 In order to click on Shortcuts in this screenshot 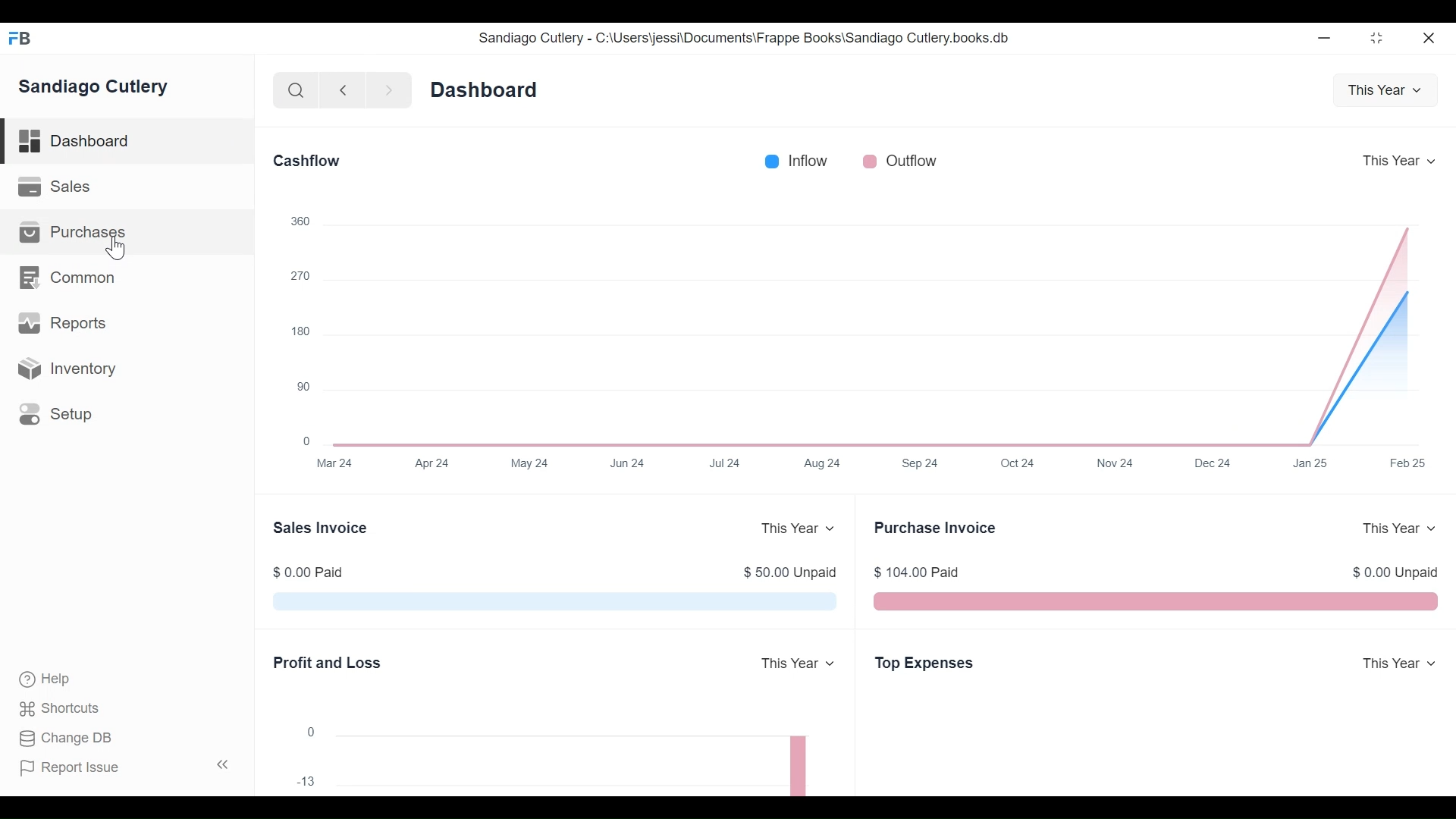, I will do `click(61, 708)`.